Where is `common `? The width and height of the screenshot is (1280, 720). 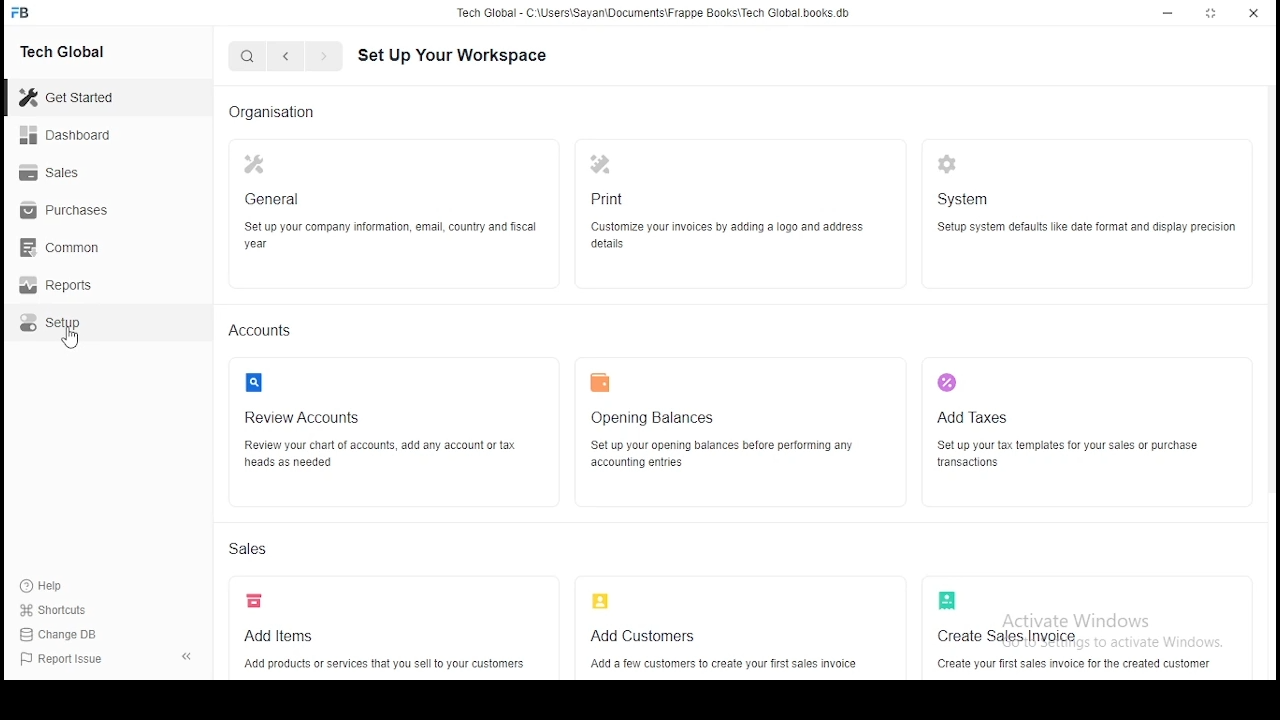 common  is located at coordinates (80, 250).